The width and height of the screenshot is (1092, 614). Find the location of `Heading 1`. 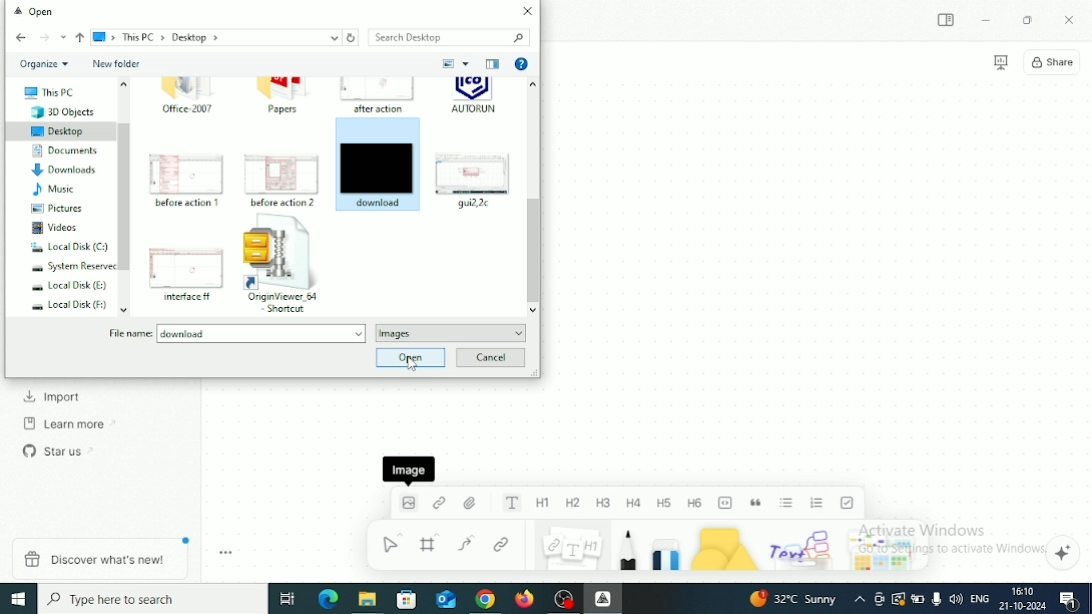

Heading 1 is located at coordinates (543, 504).